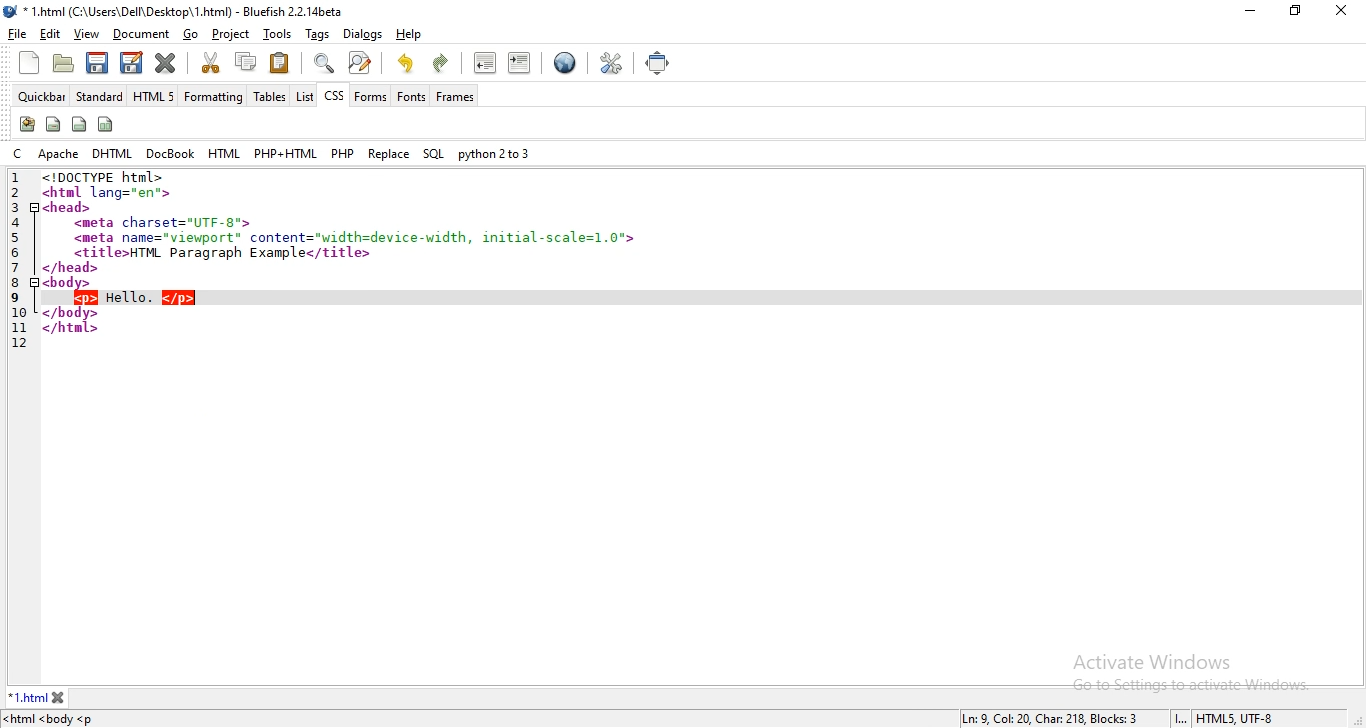 The image size is (1366, 728). I want to click on quickbar, so click(40, 97).